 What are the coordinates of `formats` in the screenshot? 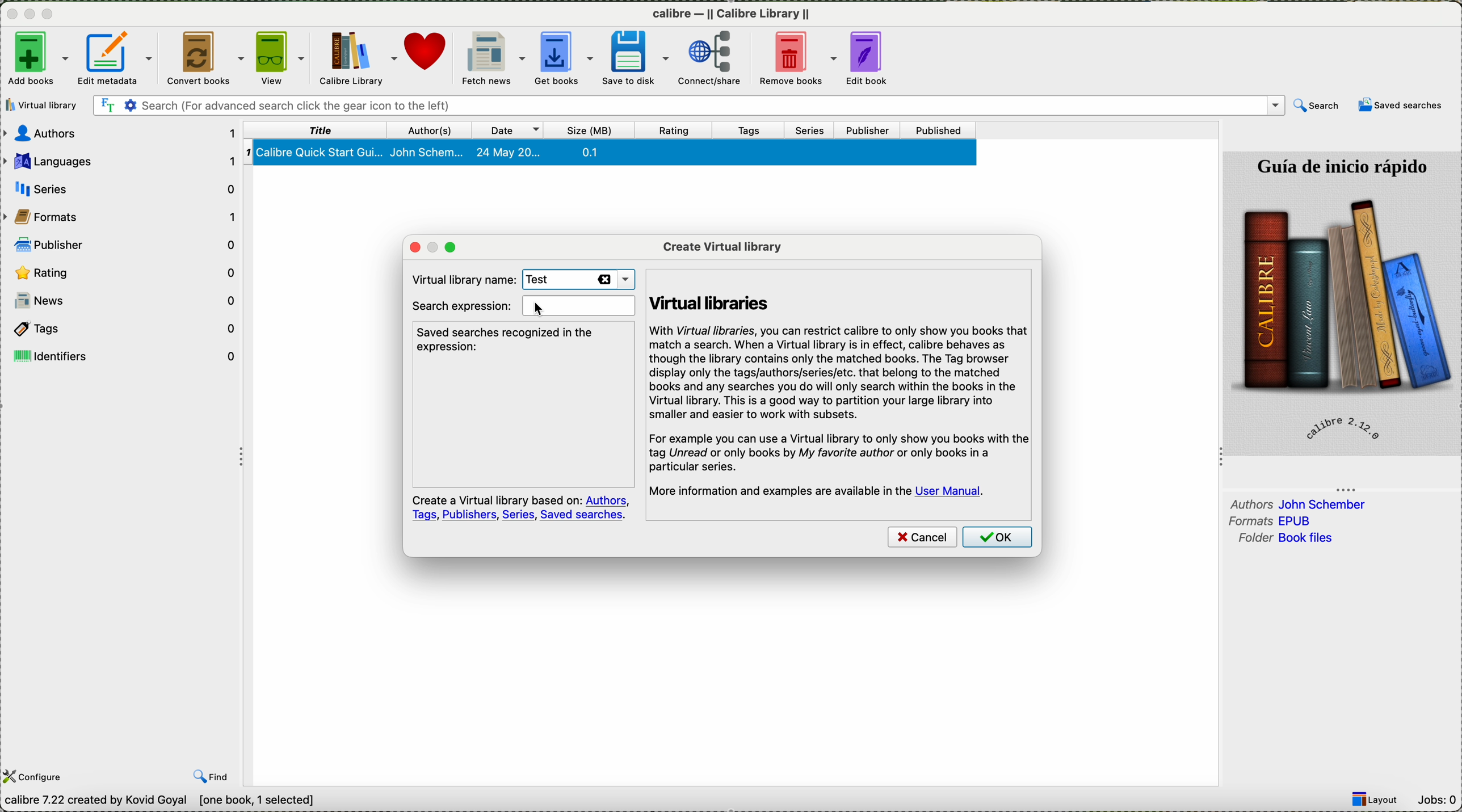 It's located at (123, 216).